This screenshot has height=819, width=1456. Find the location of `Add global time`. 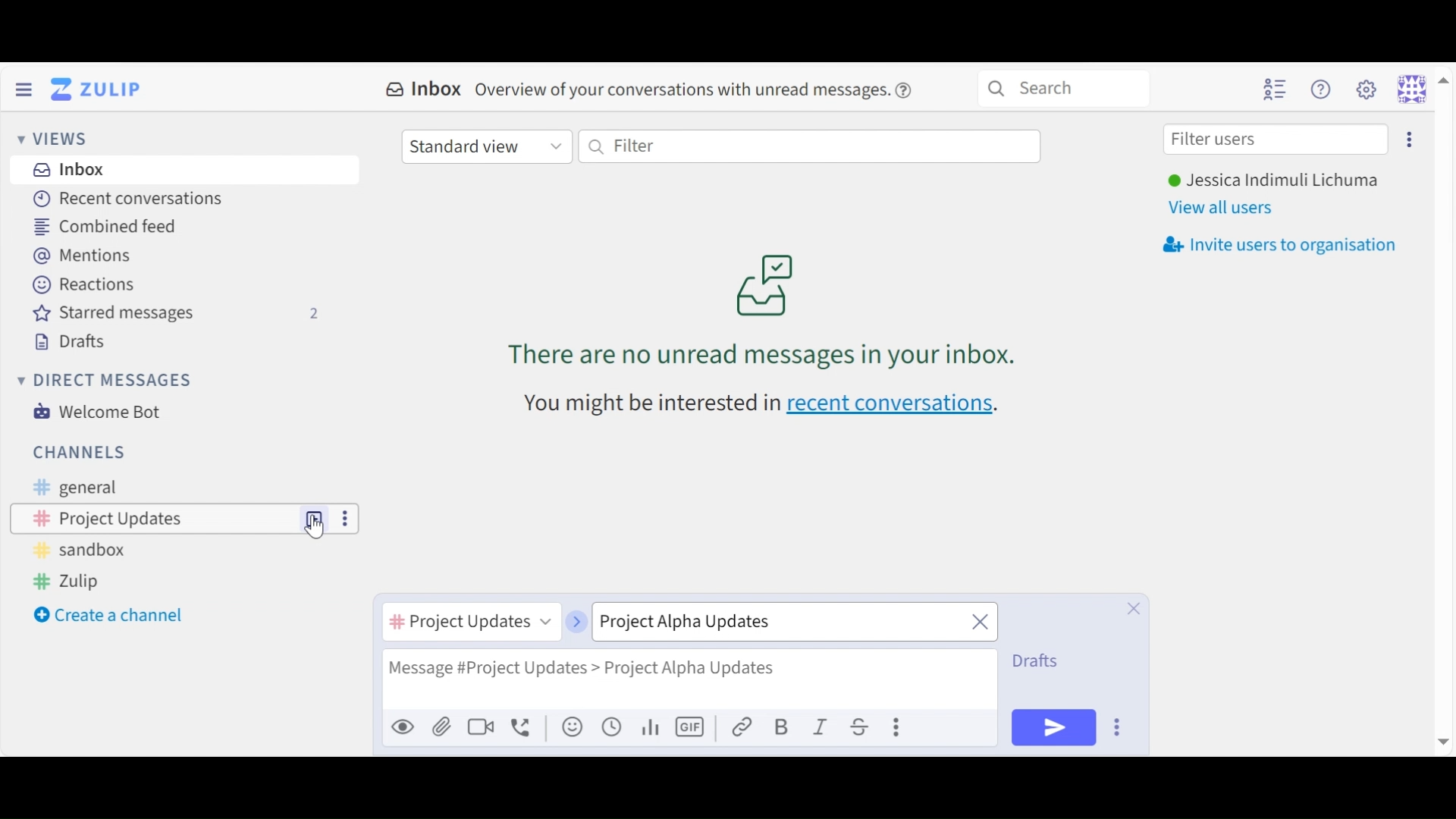

Add global time is located at coordinates (612, 726).